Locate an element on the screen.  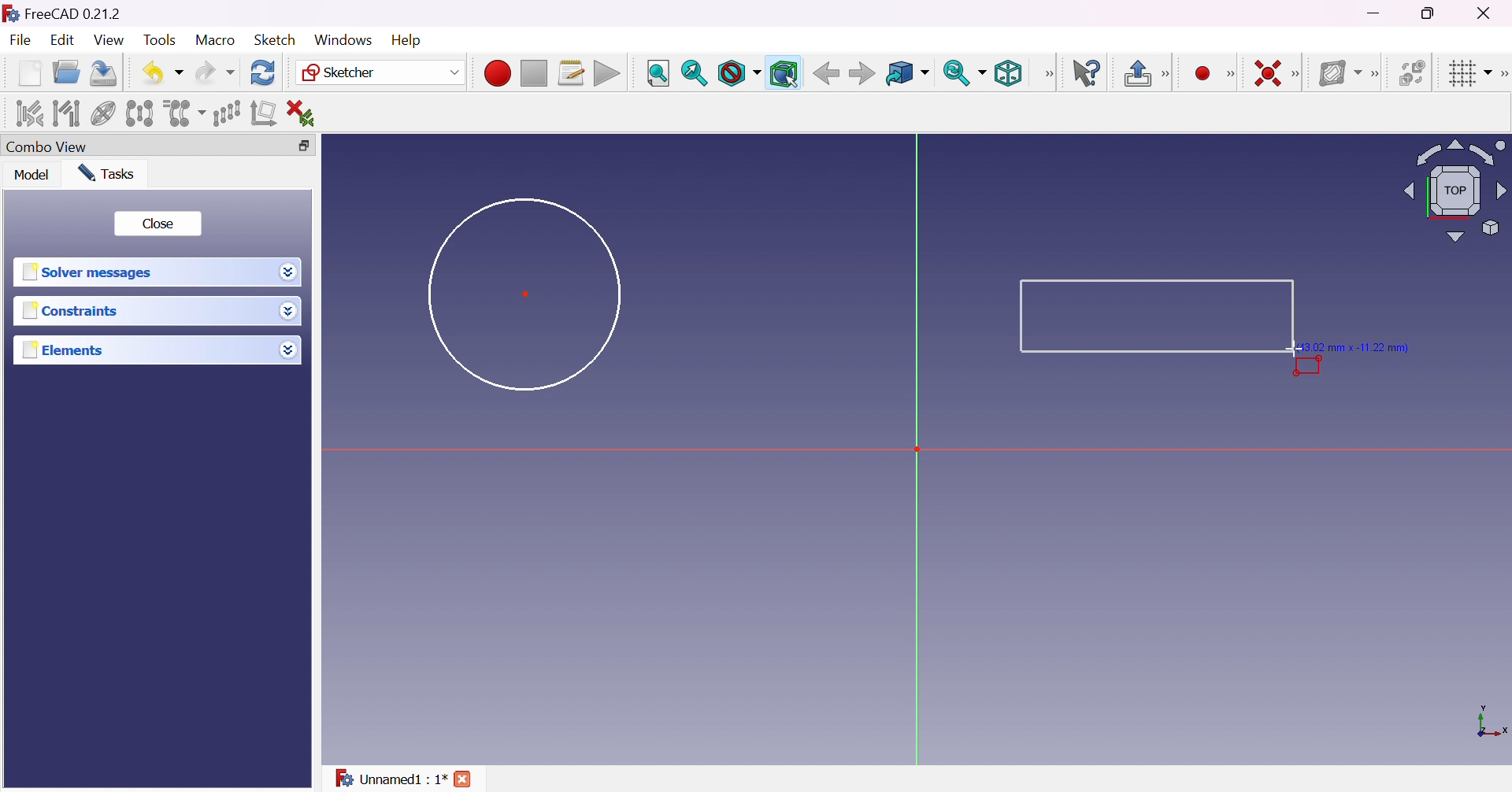
x, y axis is located at coordinates (1490, 723).